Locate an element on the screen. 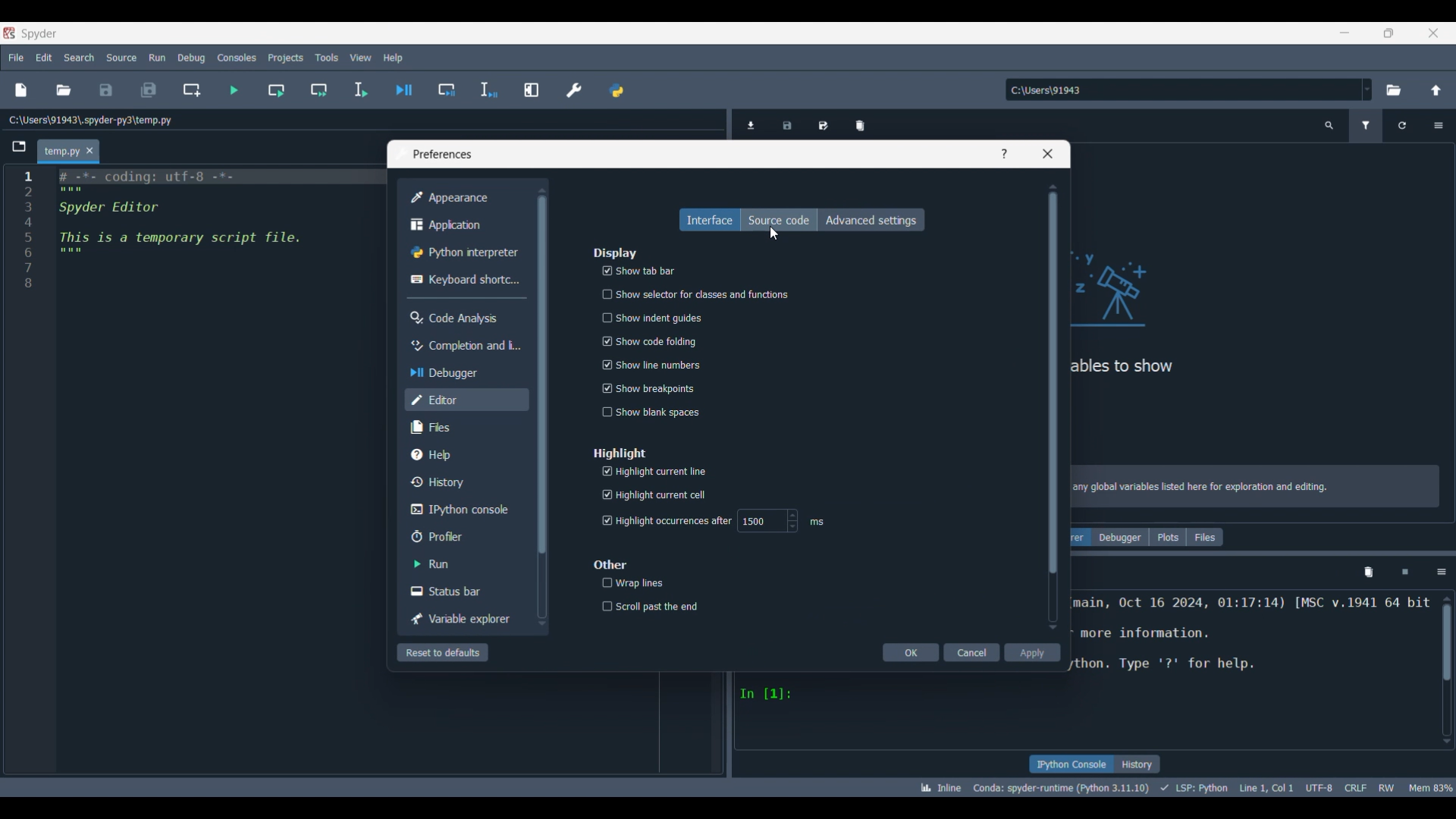 This screenshot has height=819, width=1456. Cancel is located at coordinates (971, 652).